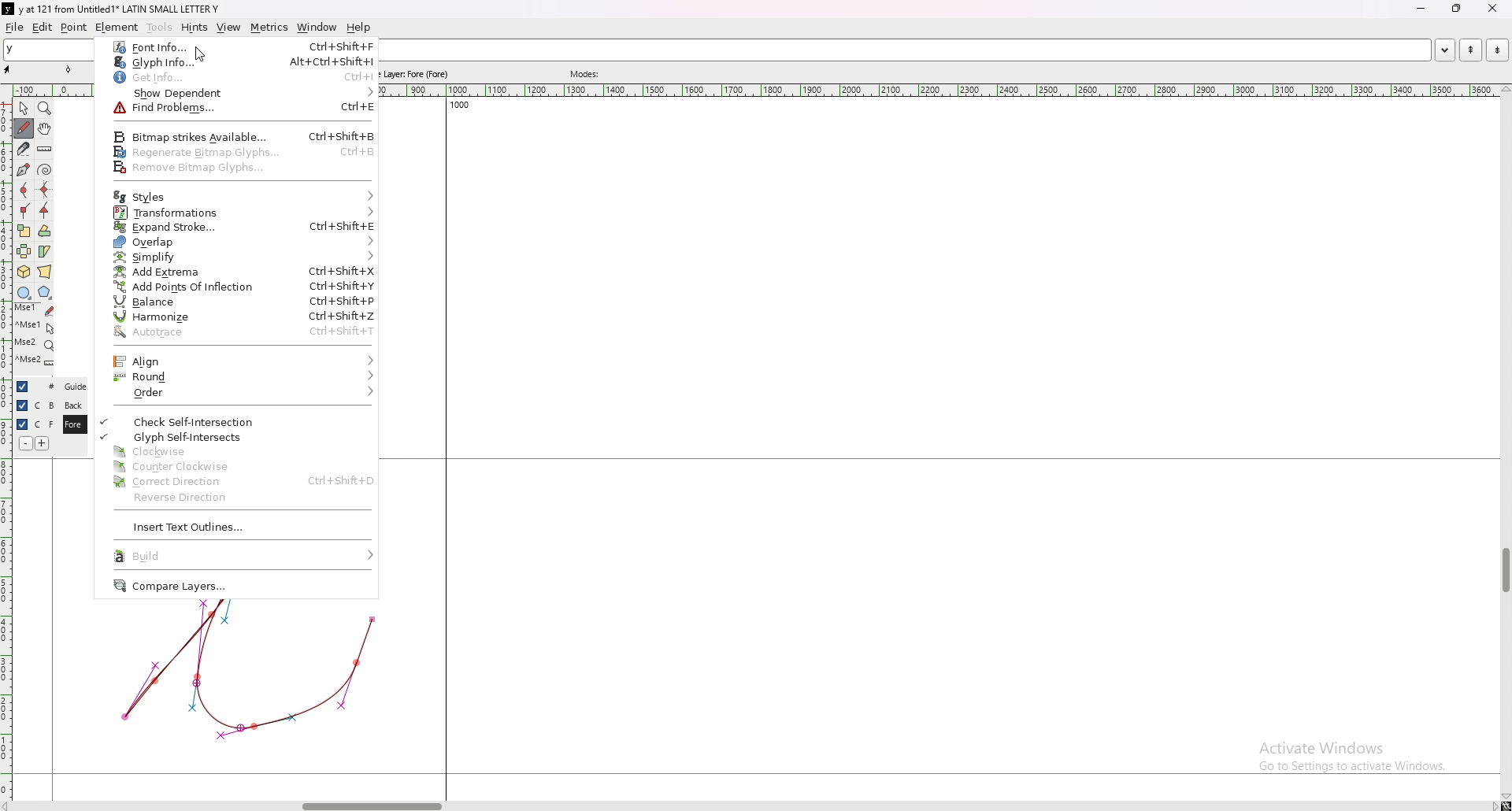 The height and width of the screenshot is (811, 1512). What do you see at coordinates (235, 154) in the screenshot?
I see `regenerate bitmap glyphs` at bounding box center [235, 154].